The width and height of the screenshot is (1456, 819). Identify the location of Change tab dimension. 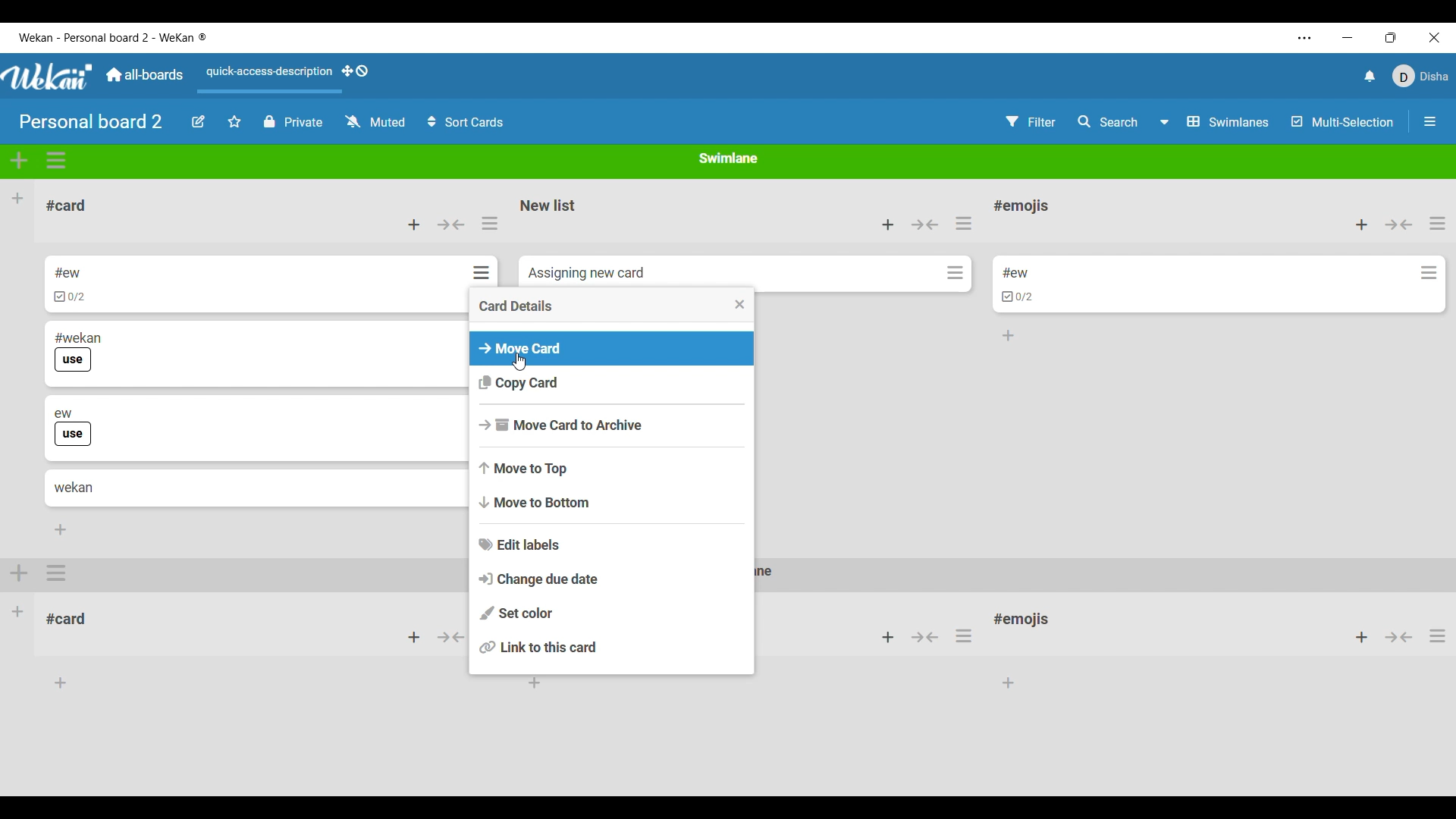
(1391, 37).